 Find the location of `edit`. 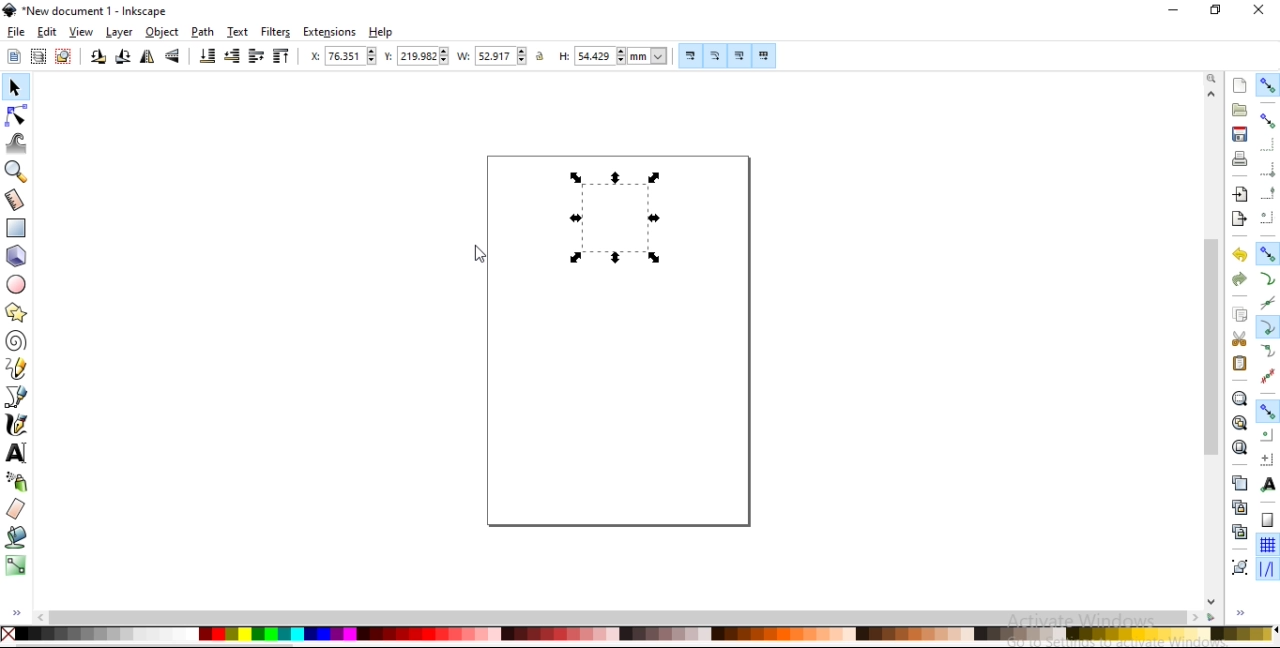

edit is located at coordinates (47, 32).